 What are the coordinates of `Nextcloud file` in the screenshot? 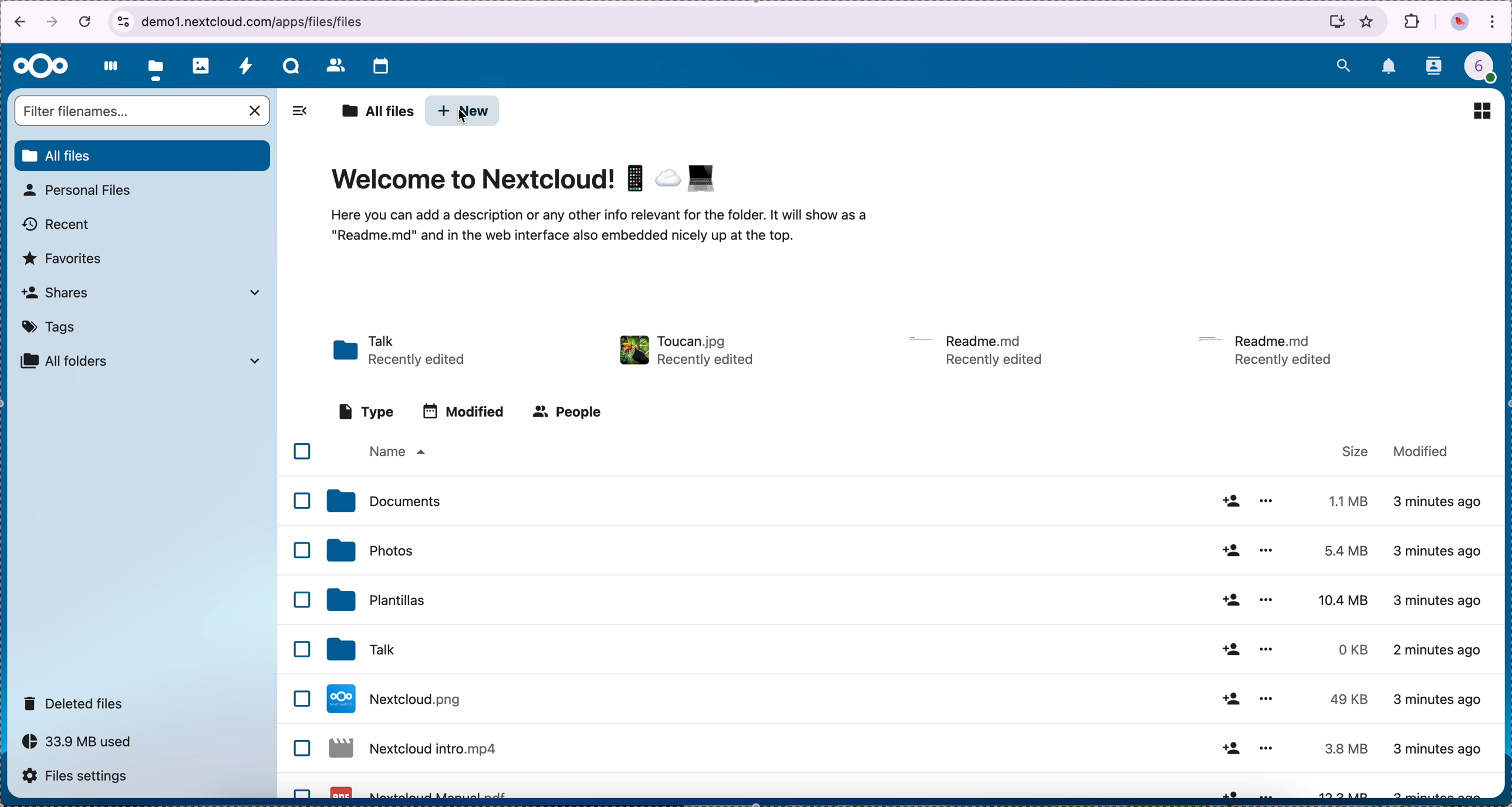 It's located at (420, 791).